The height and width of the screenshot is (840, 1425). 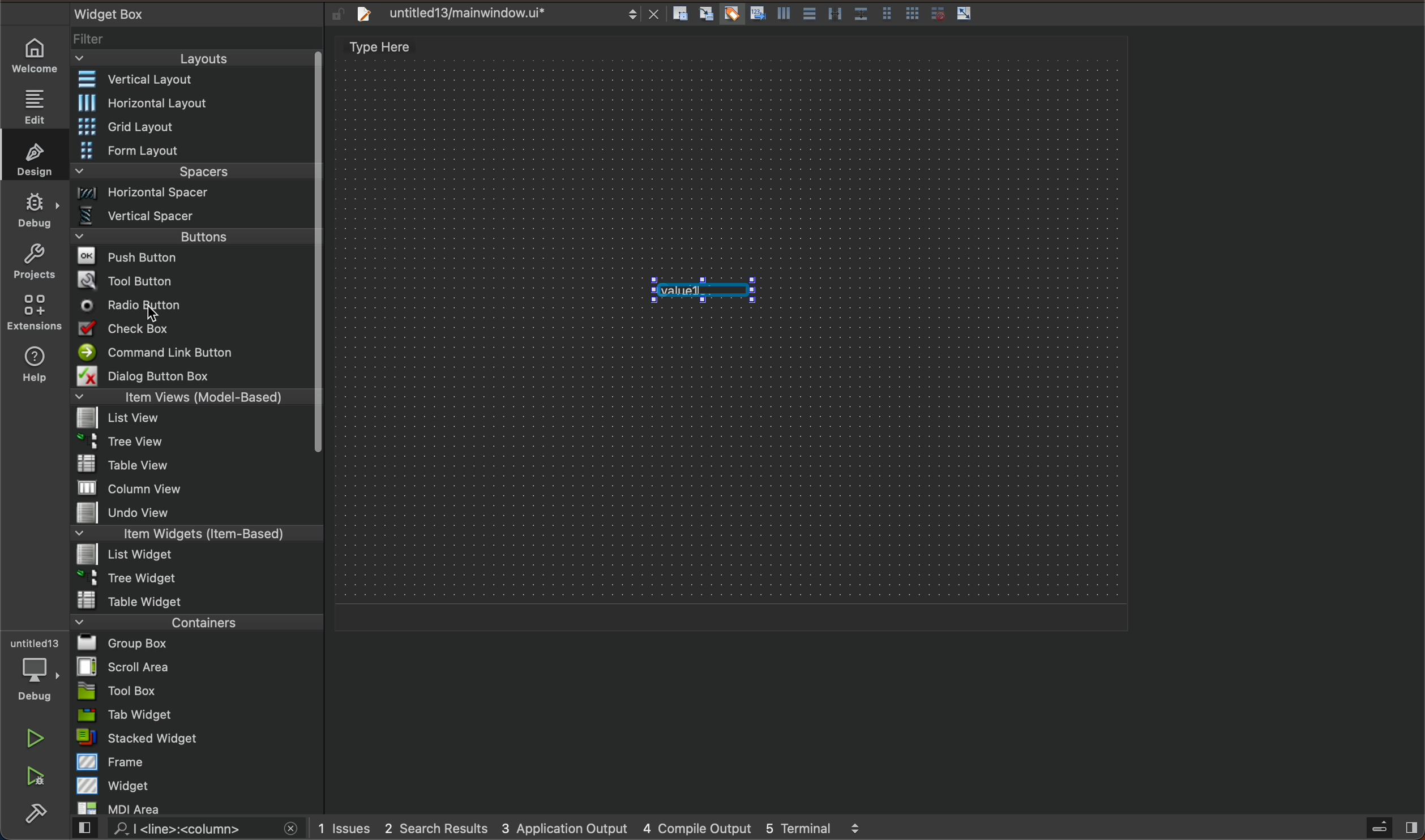 I want to click on , so click(x=730, y=15).